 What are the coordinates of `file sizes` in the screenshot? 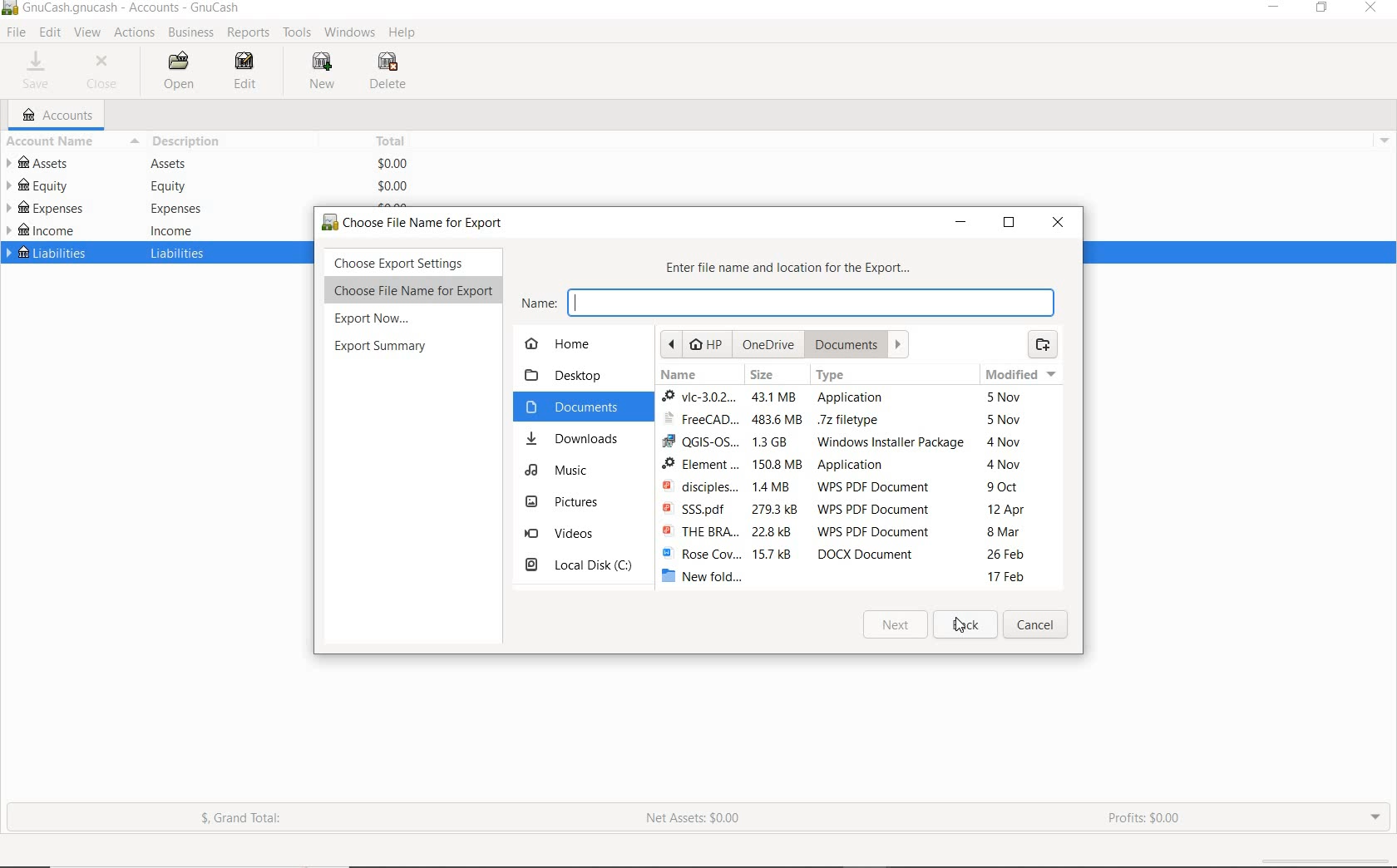 It's located at (774, 484).